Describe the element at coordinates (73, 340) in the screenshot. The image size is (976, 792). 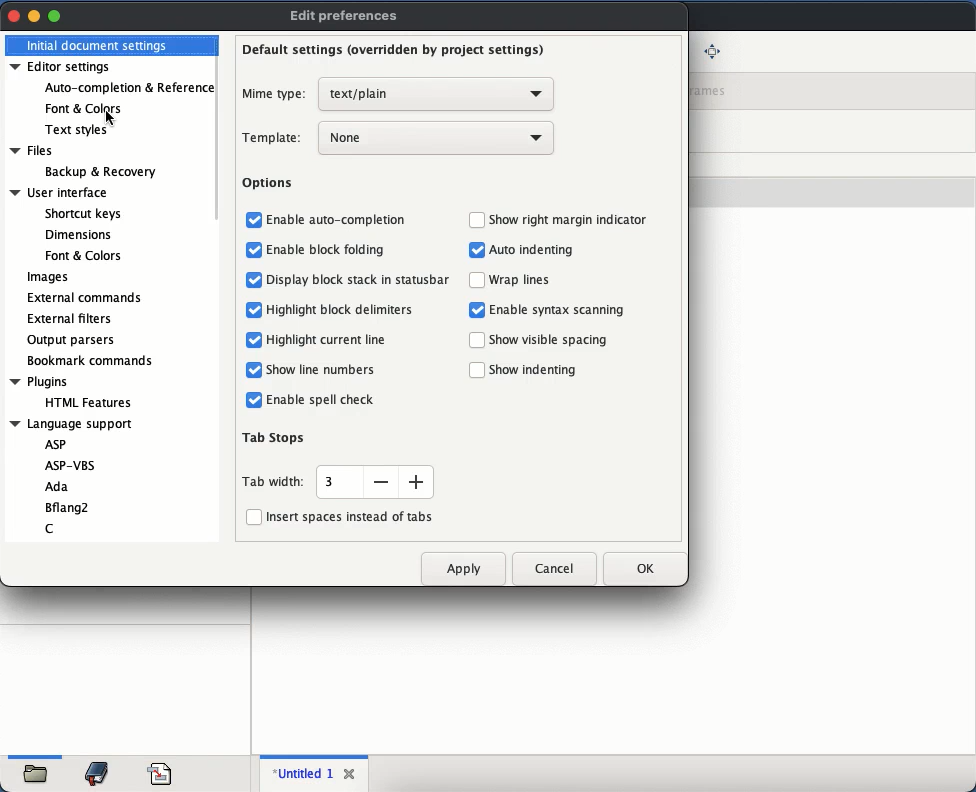
I see `output parsers` at that location.